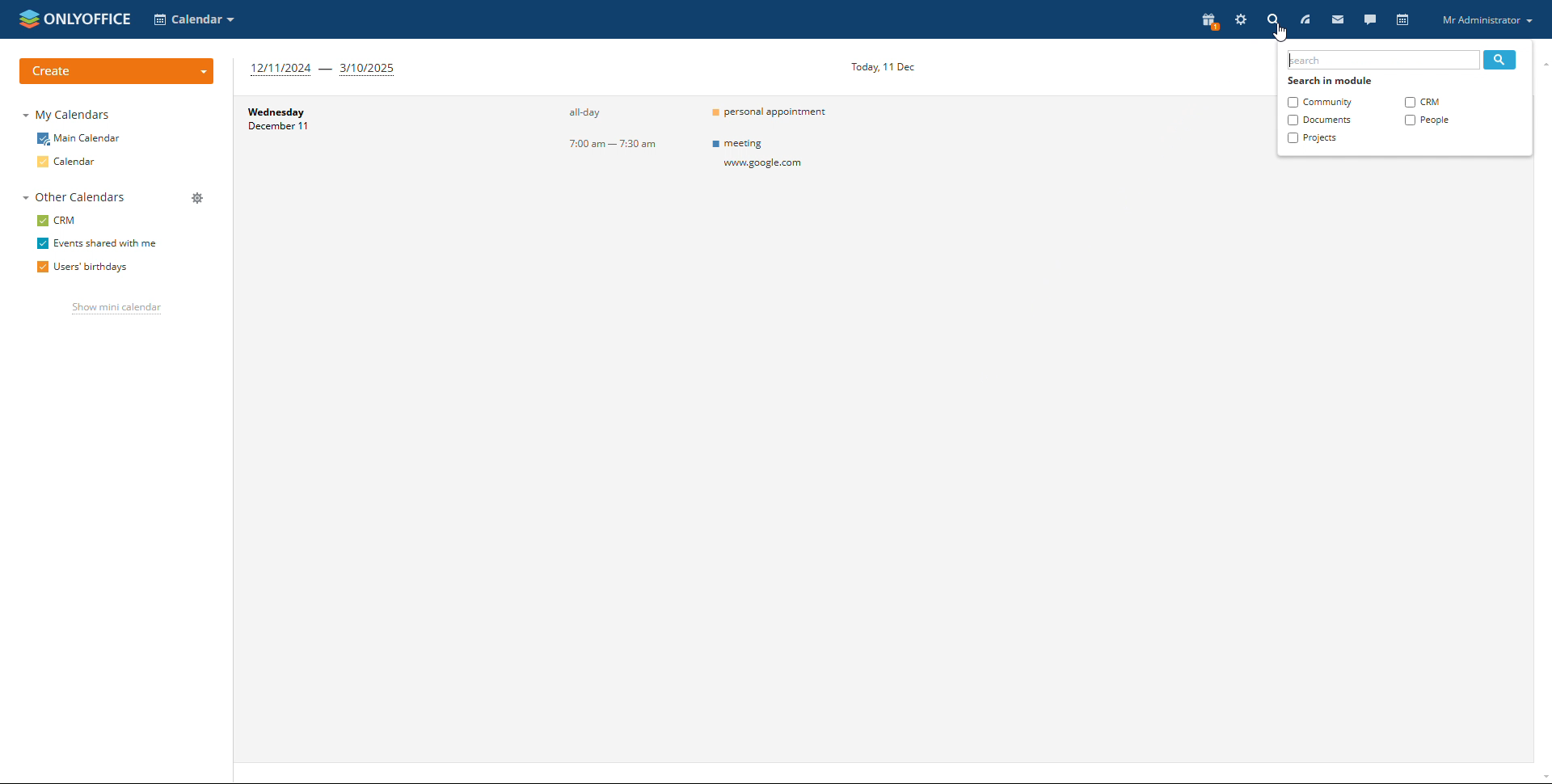 This screenshot has height=784, width=1552. Describe the element at coordinates (55, 220) in the screenshot. I see `crm` at that location.